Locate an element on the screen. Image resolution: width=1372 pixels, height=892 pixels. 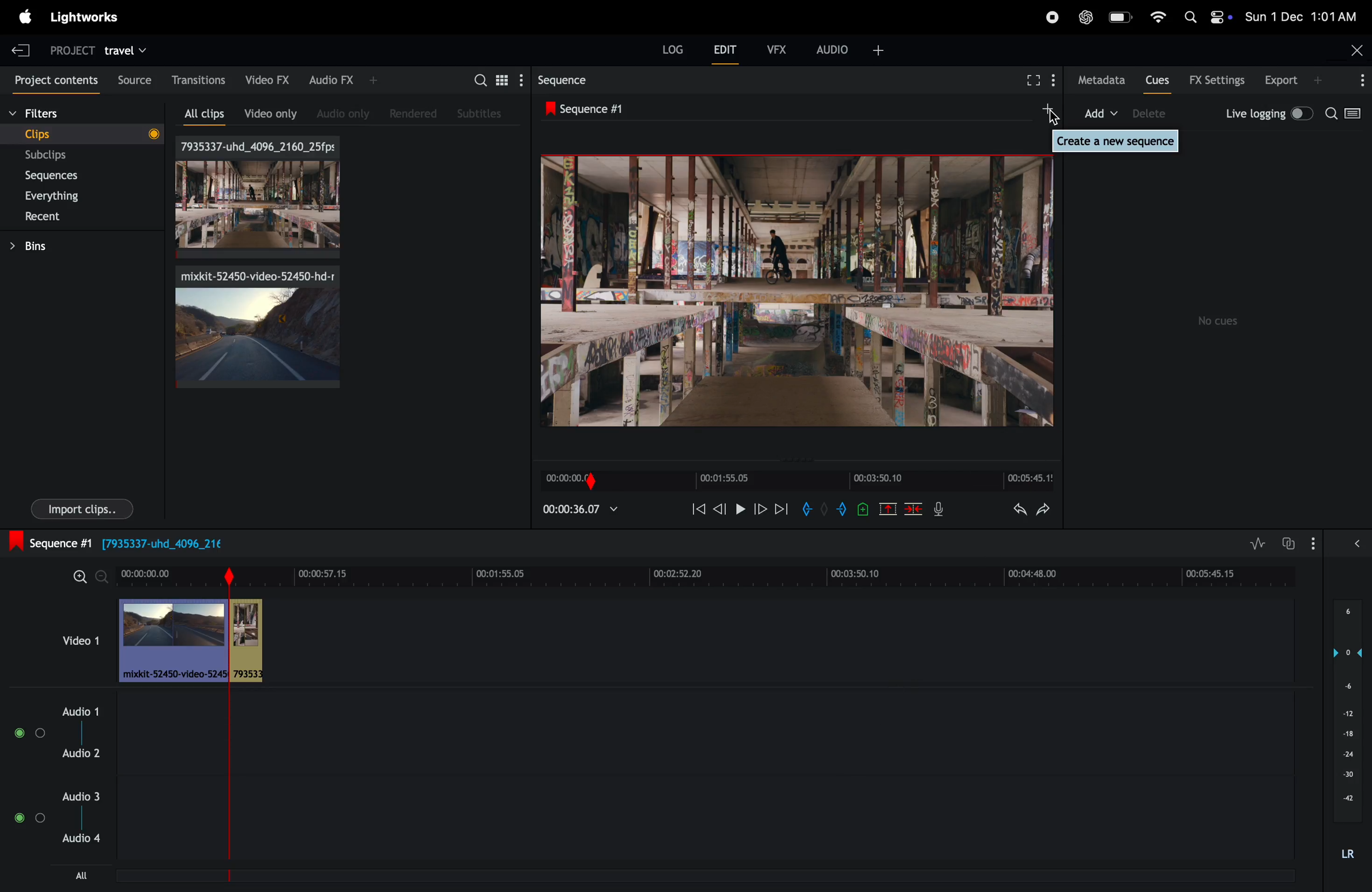
video fx is located at coordinates (268, 78).